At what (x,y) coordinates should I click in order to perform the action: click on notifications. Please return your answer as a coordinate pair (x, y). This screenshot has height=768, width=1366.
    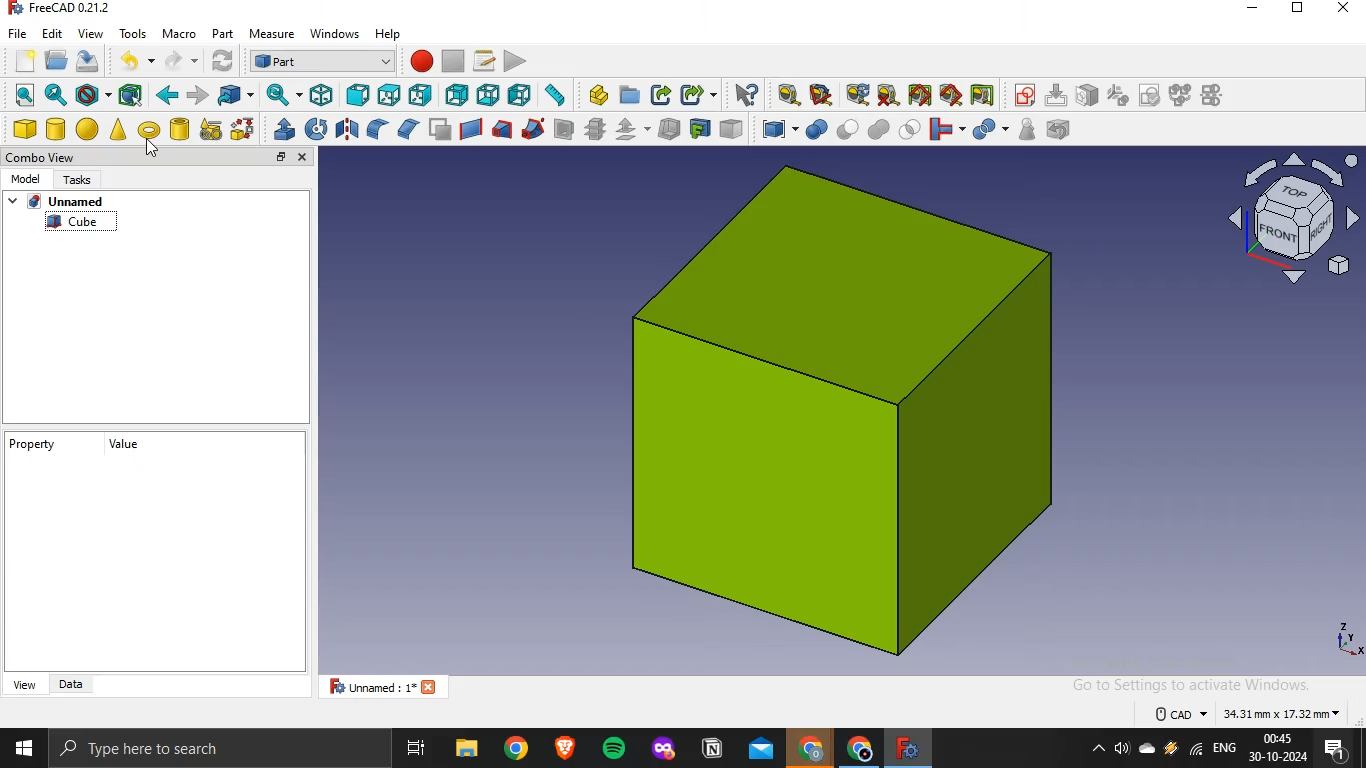
    Looking at the image, I should click on (1336, 749).